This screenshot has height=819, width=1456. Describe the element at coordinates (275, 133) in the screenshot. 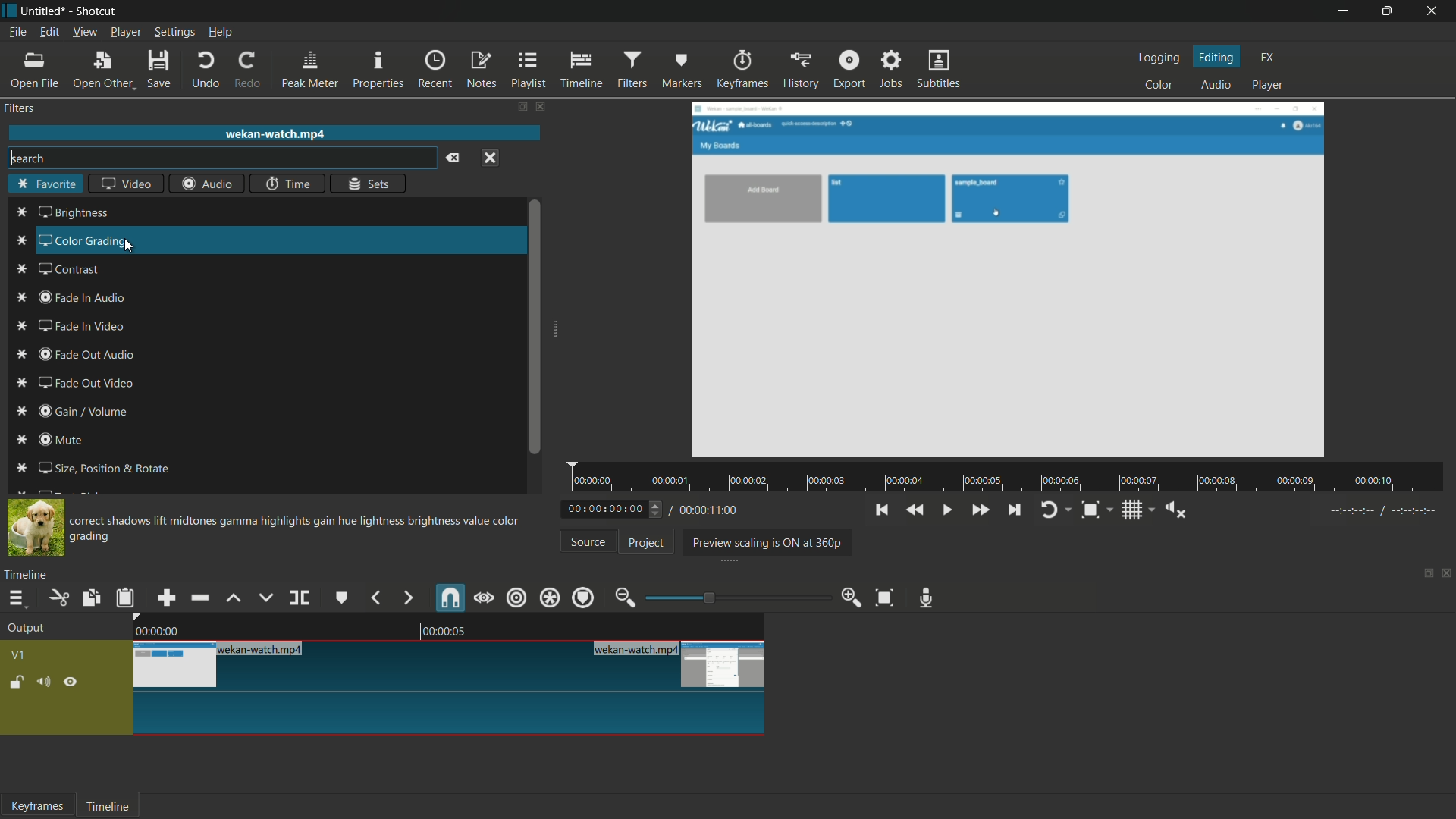

I see `imported file name` at that location.